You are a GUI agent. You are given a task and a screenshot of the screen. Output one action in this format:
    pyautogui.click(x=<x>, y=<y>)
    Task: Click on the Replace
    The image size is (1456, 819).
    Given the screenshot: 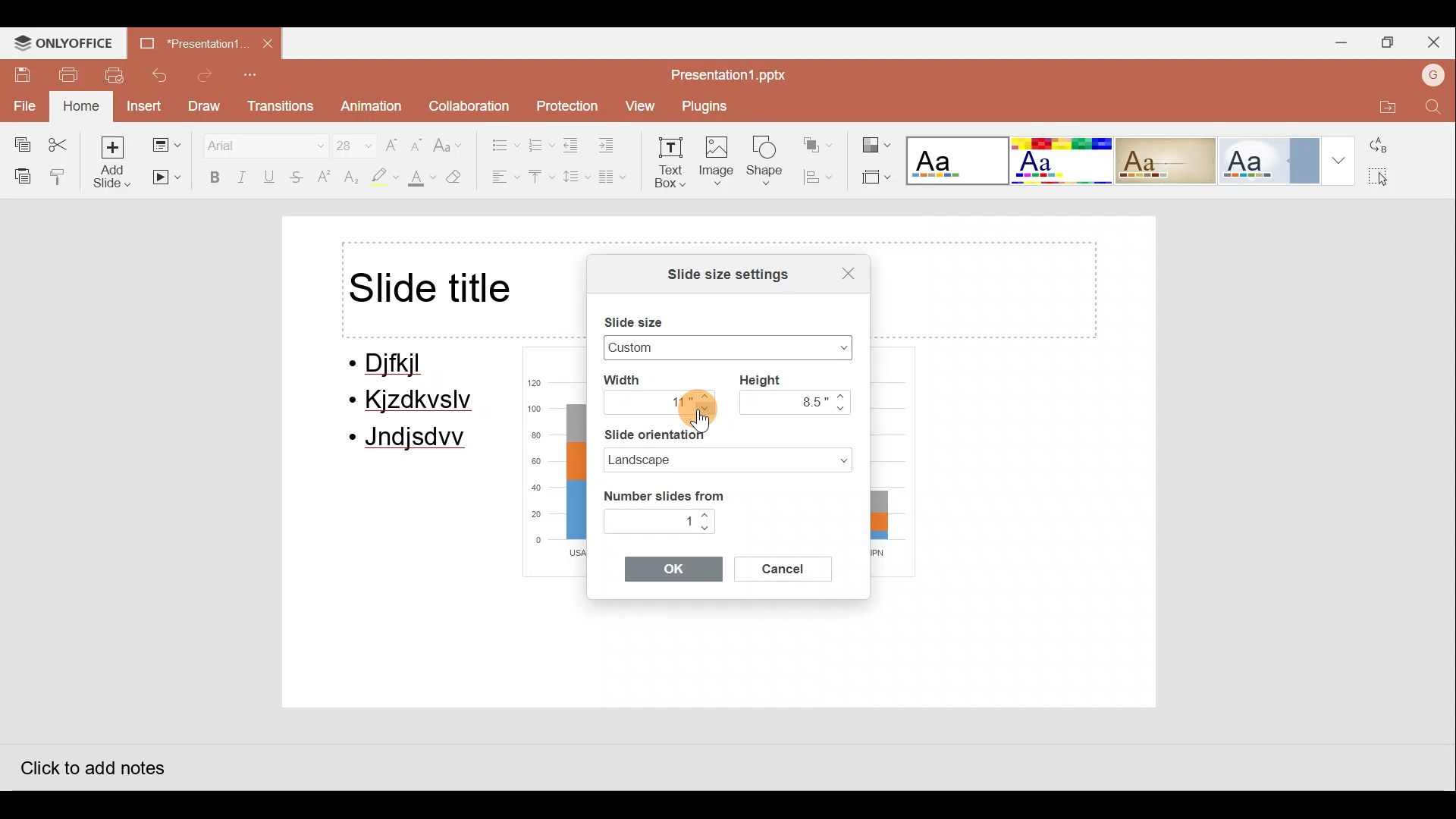 What is the action you would take?
    pyautogui.click(x=1386, y=143)
    